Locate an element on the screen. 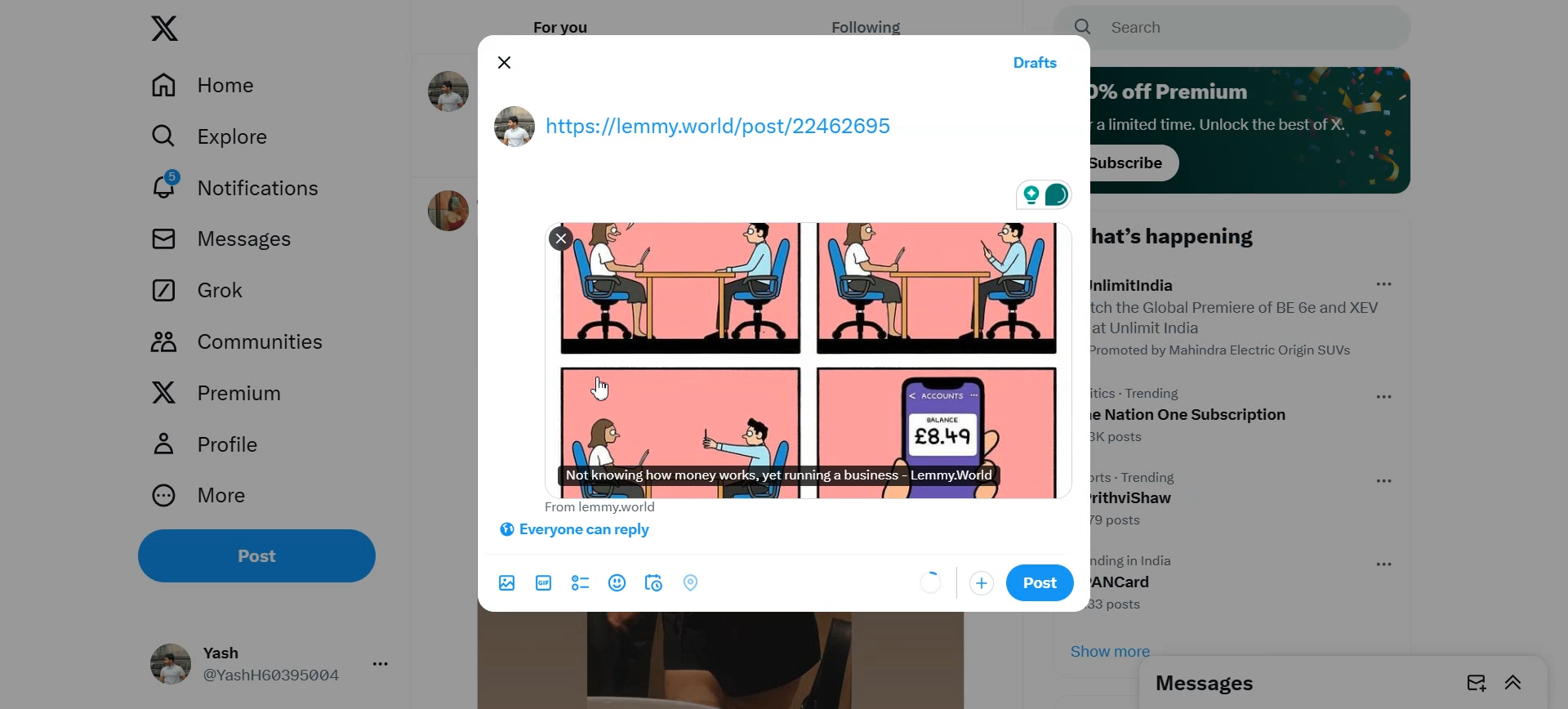 This screenshot has width=1568, height=709. post is located at coordinates (284, 563).